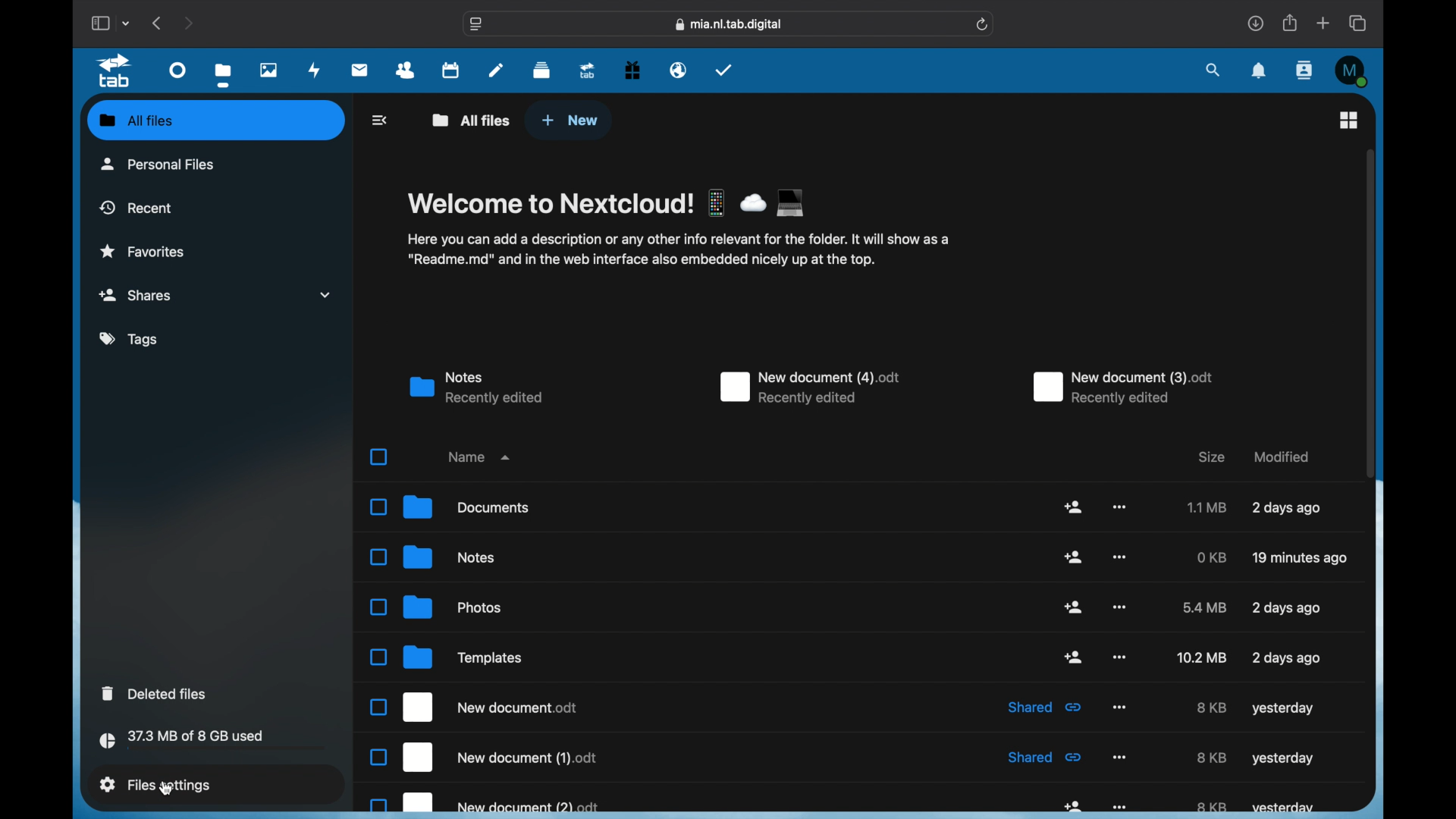 The image size is (1456, 819). I want to click on size, so click(1200, 657).